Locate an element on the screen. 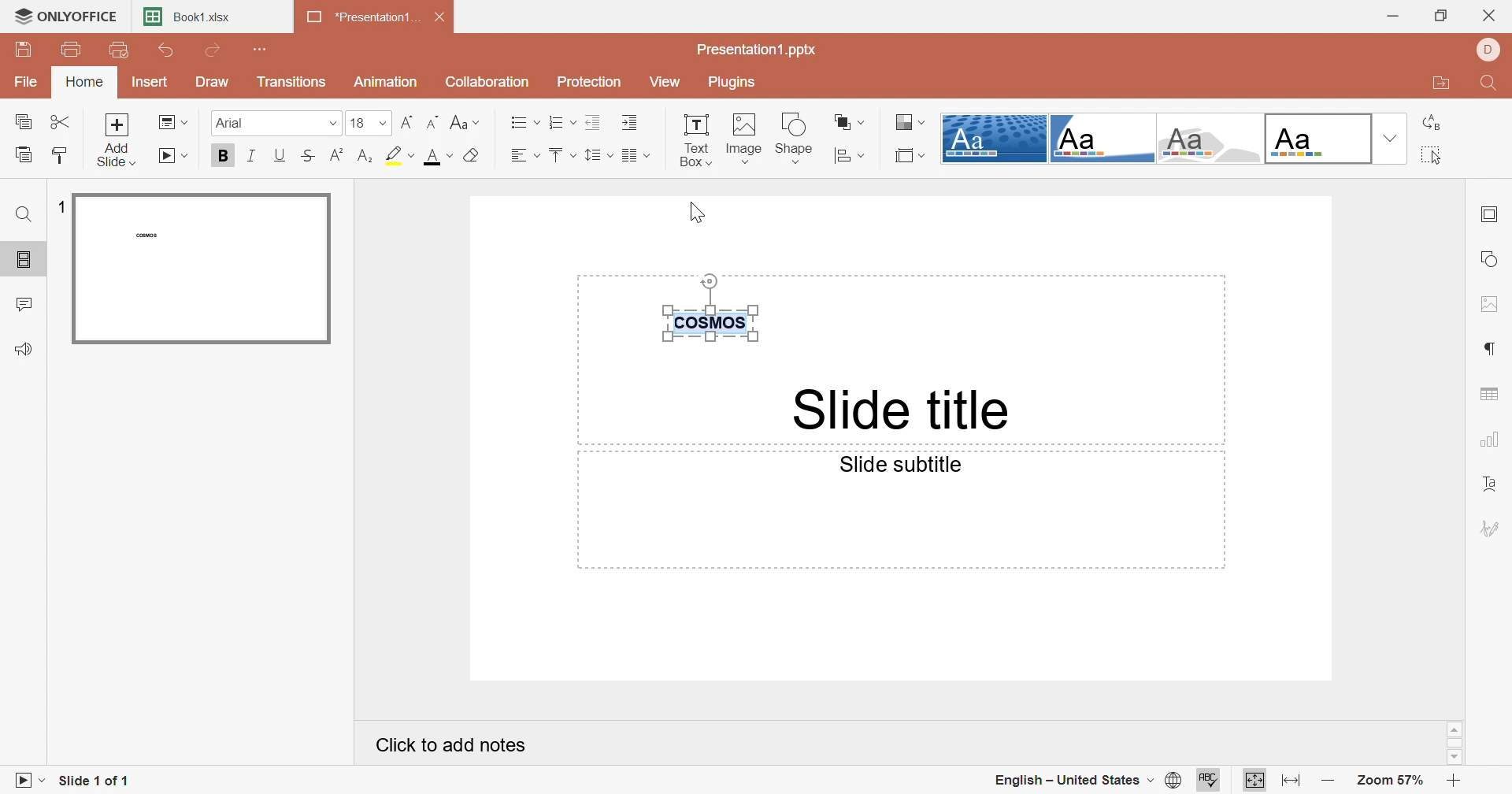 The height and width of the screenshot is (794, 1512). Replace is located at coordinates (1431, 124).